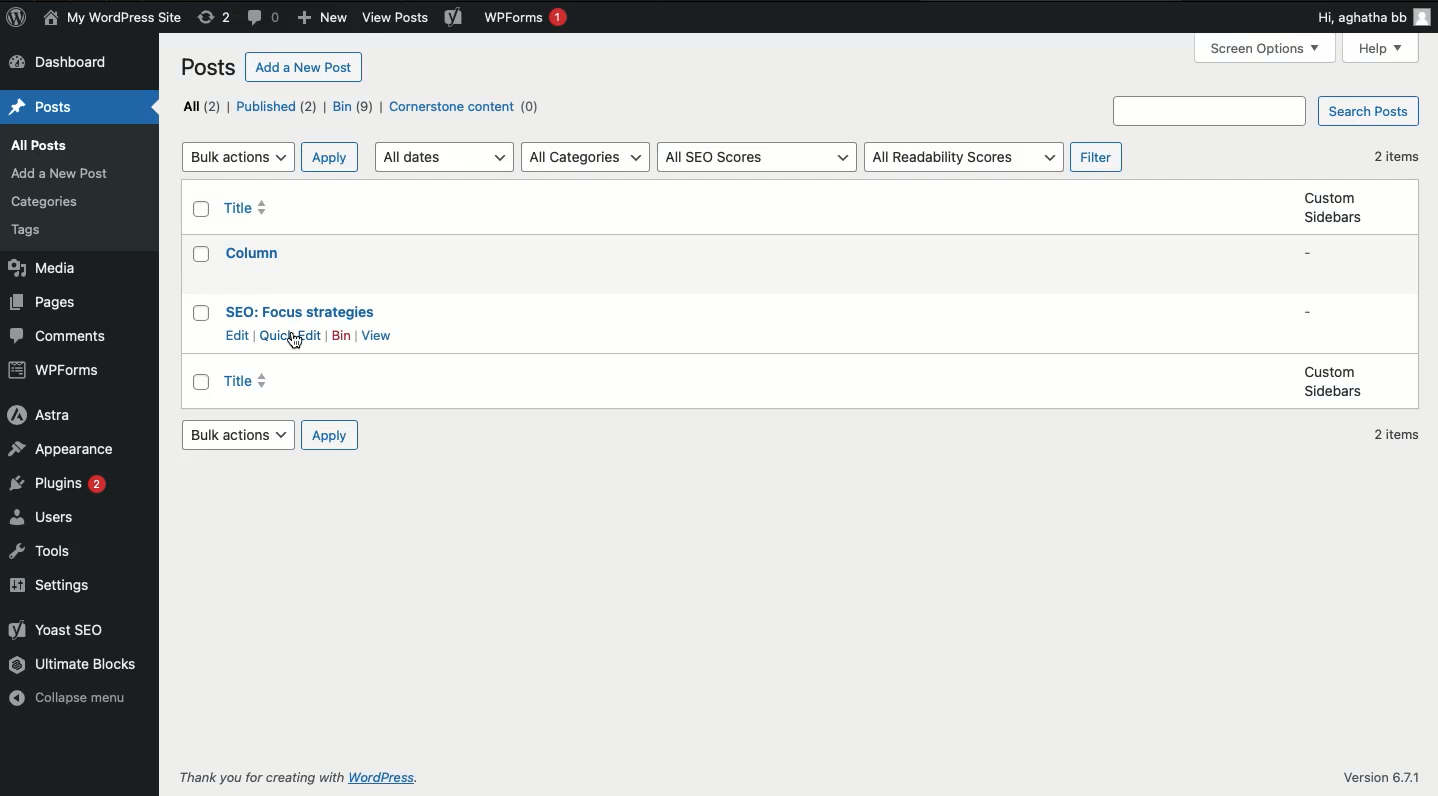 The height and width of the screenshot is (796, 1438). Describe the element at coordinates (256, 252) in the screenshot. I see `Title` at that location.